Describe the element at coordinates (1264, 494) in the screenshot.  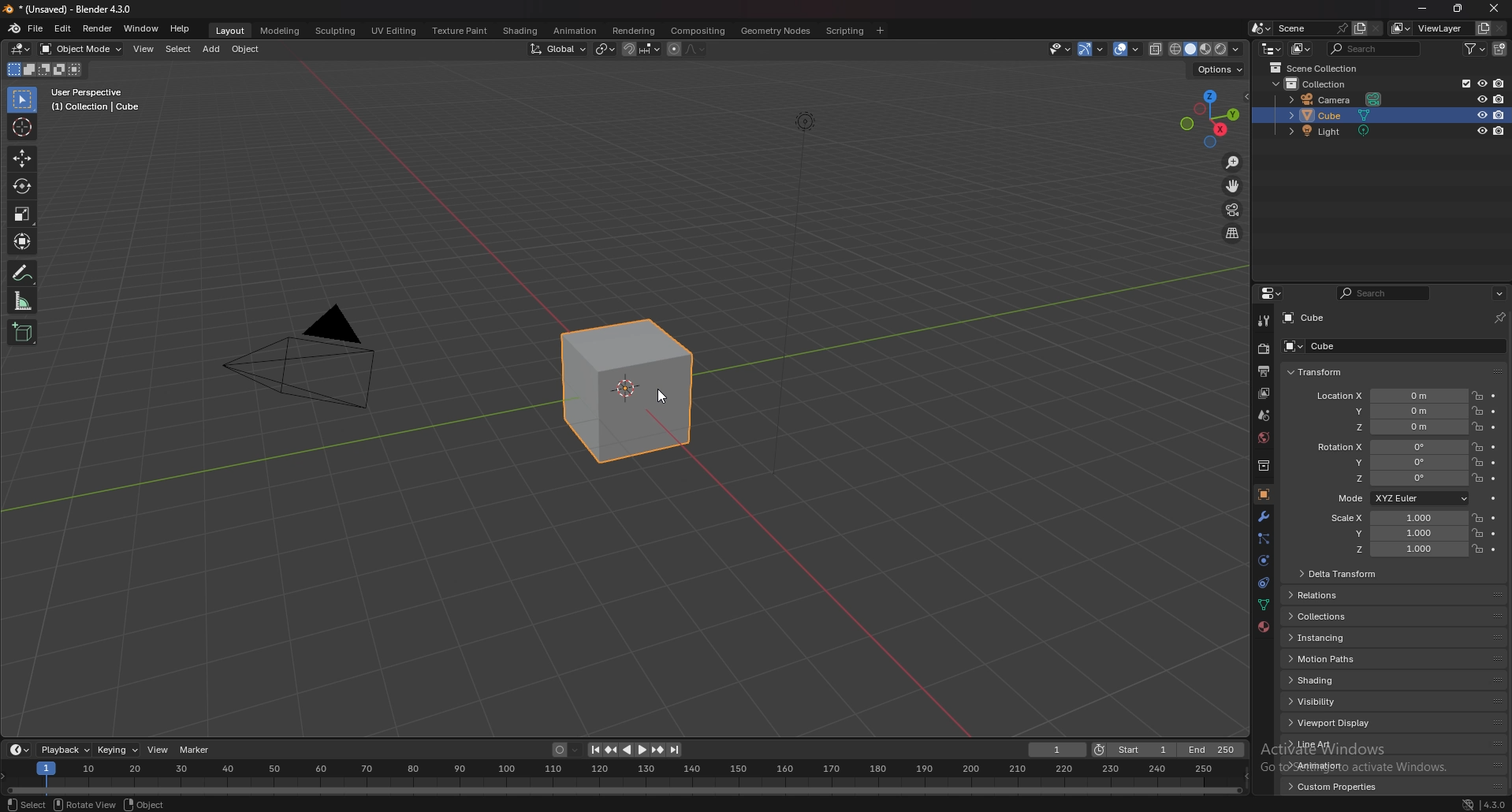
I see `object` at that location.